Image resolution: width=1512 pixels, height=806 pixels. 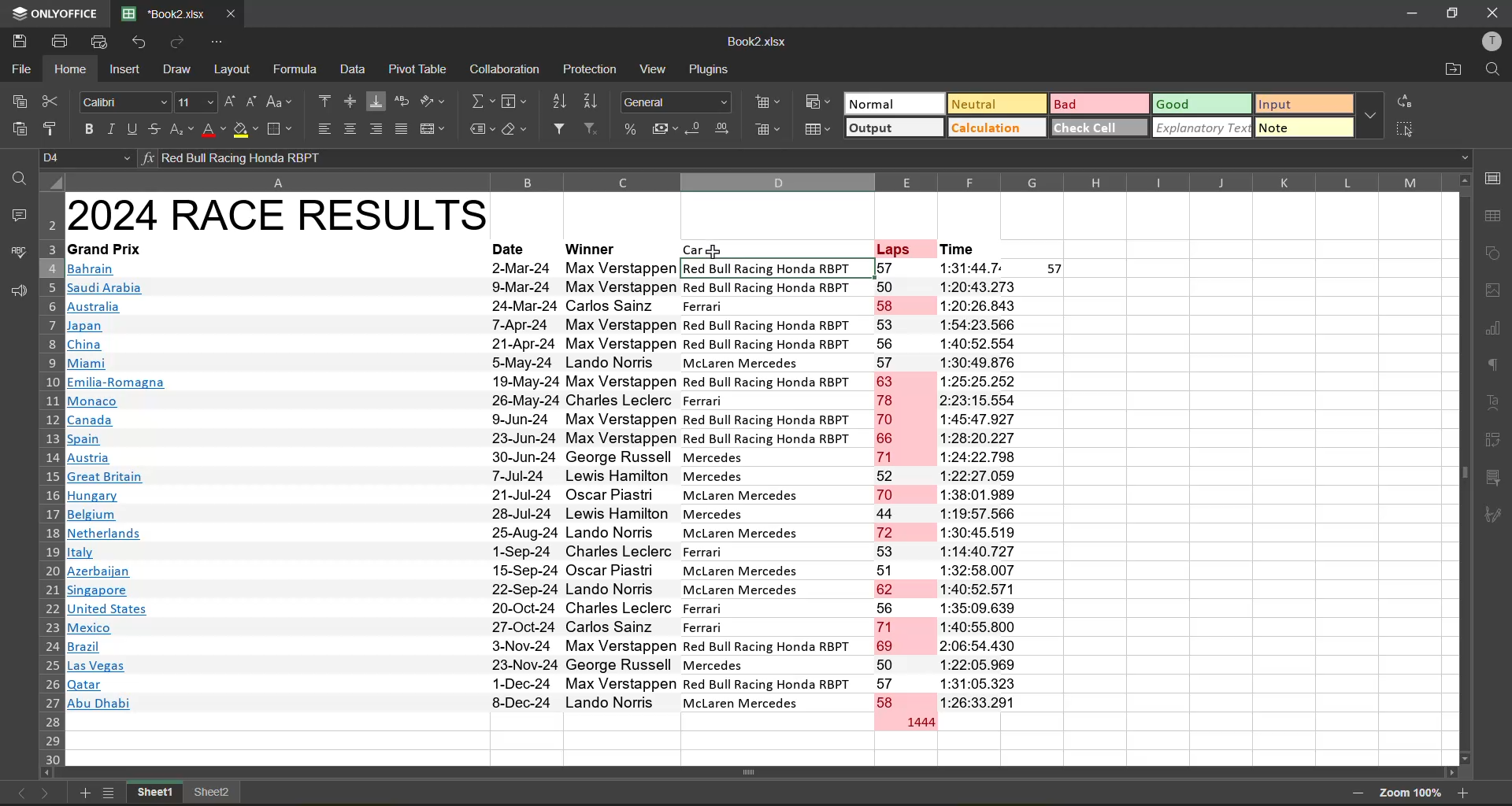 I want to click on formula, so click(x=297, y=72).